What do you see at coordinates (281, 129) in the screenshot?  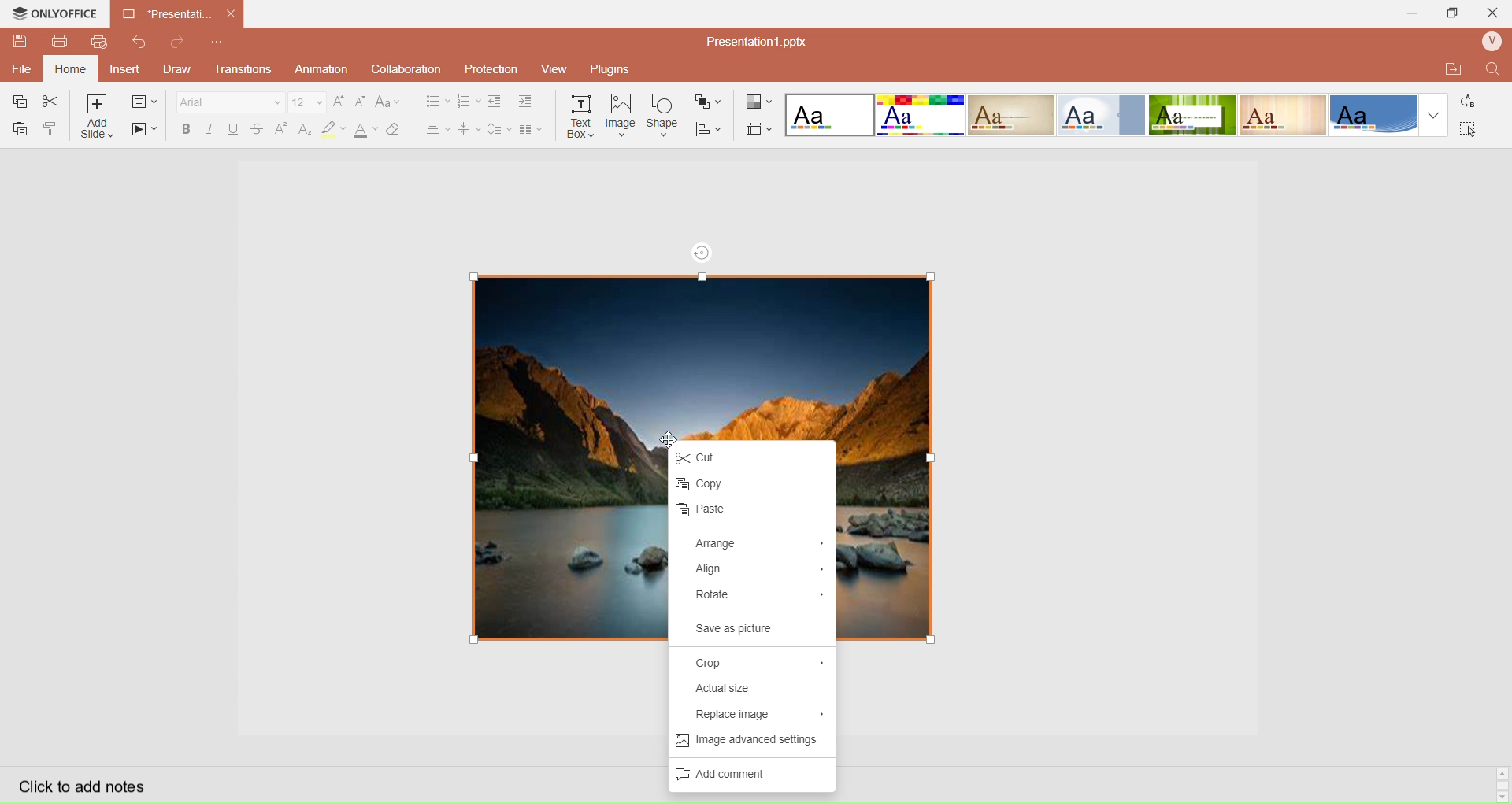 I see `Superscript` at bounding box center [281, 129].